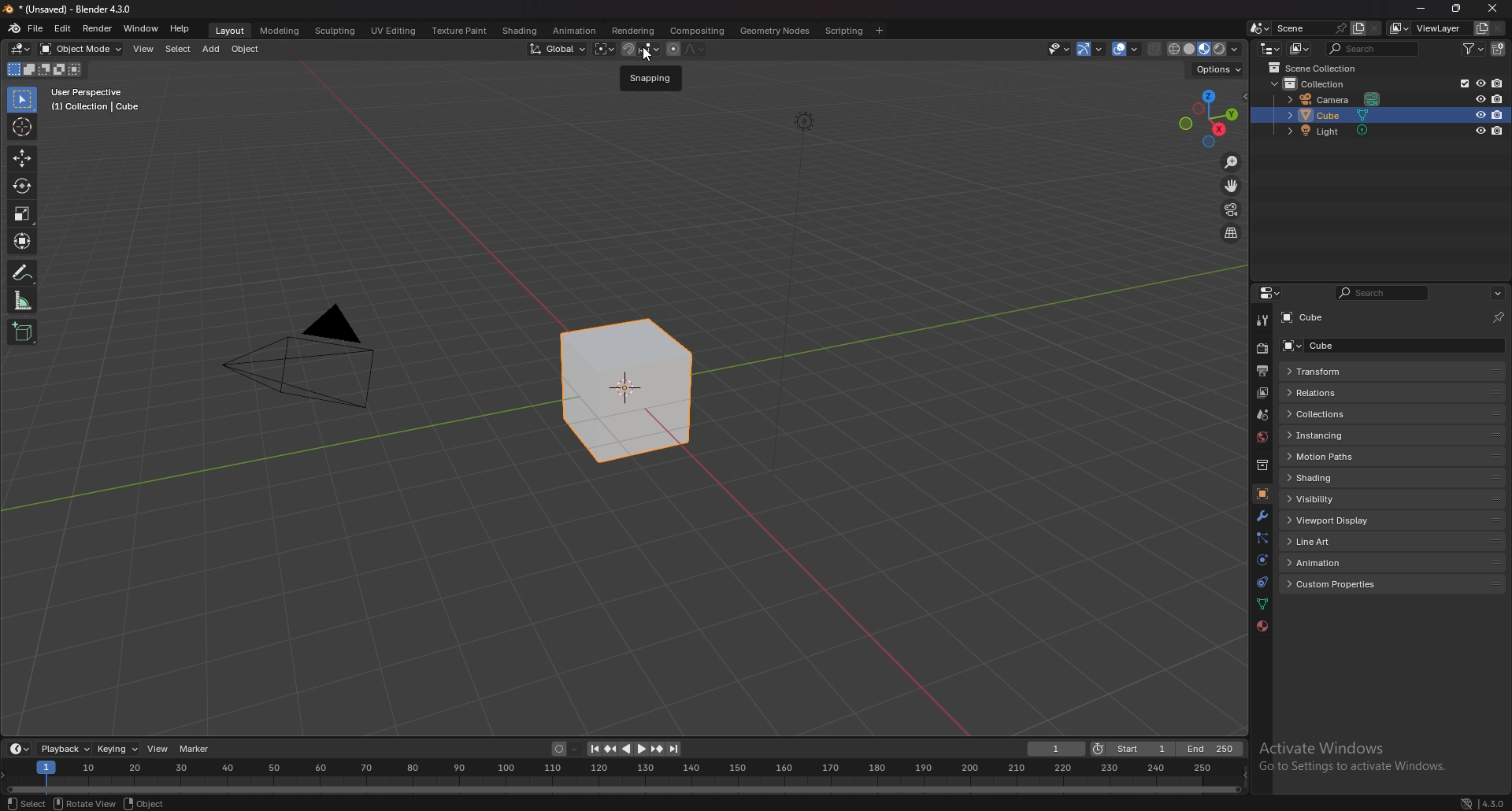 The height and width of the screenshot is (811, 1512). Describe the element at coordinates (1269, 47) in the screenshot. I see `editor type` at that location.